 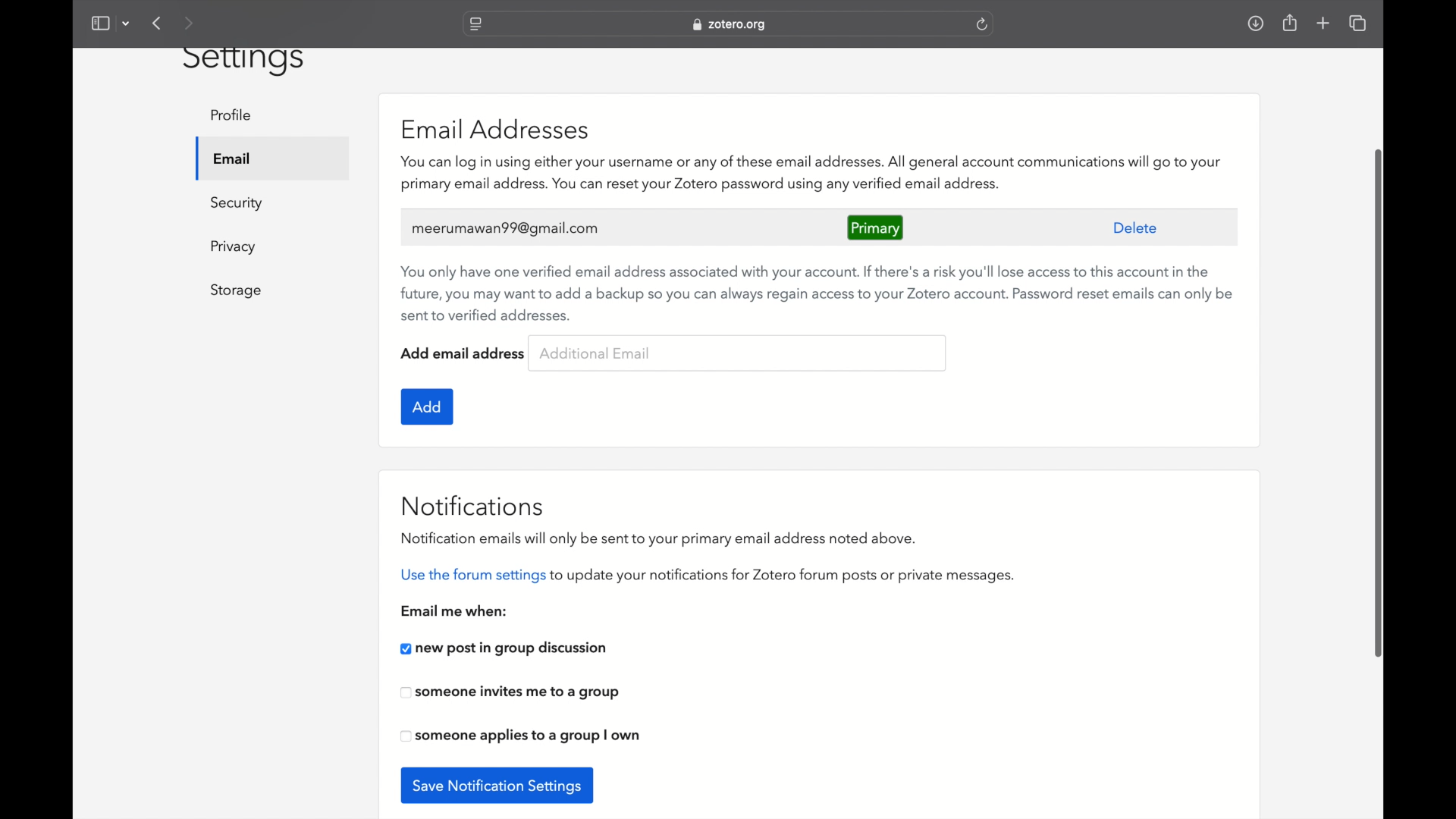 I want to click on next, so click(x=191, y=24).